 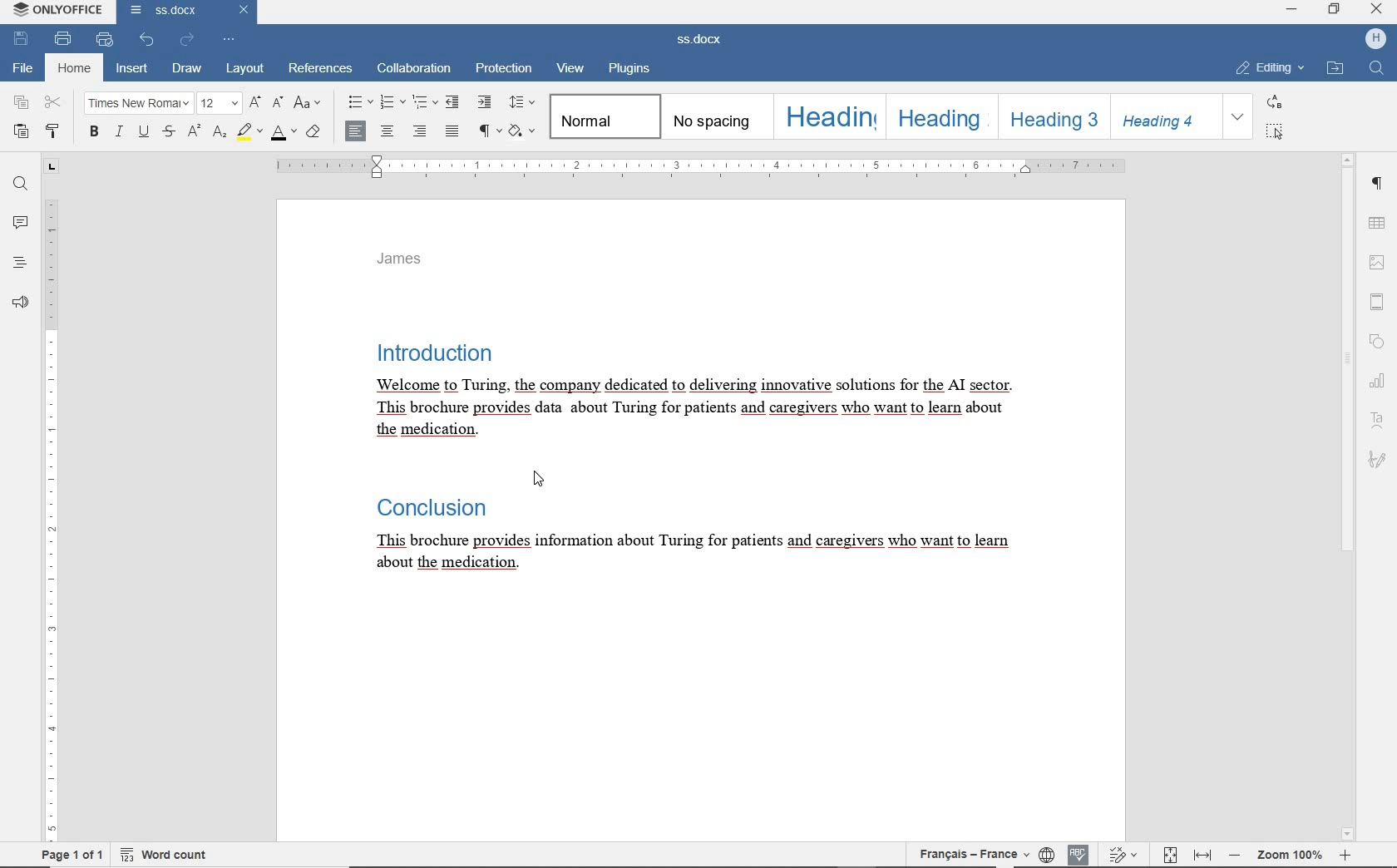 What do you see at coordinates (970, 852) in the screenshot?
I see `TEXT LANGUAGE` at bounding box center [970, 852].